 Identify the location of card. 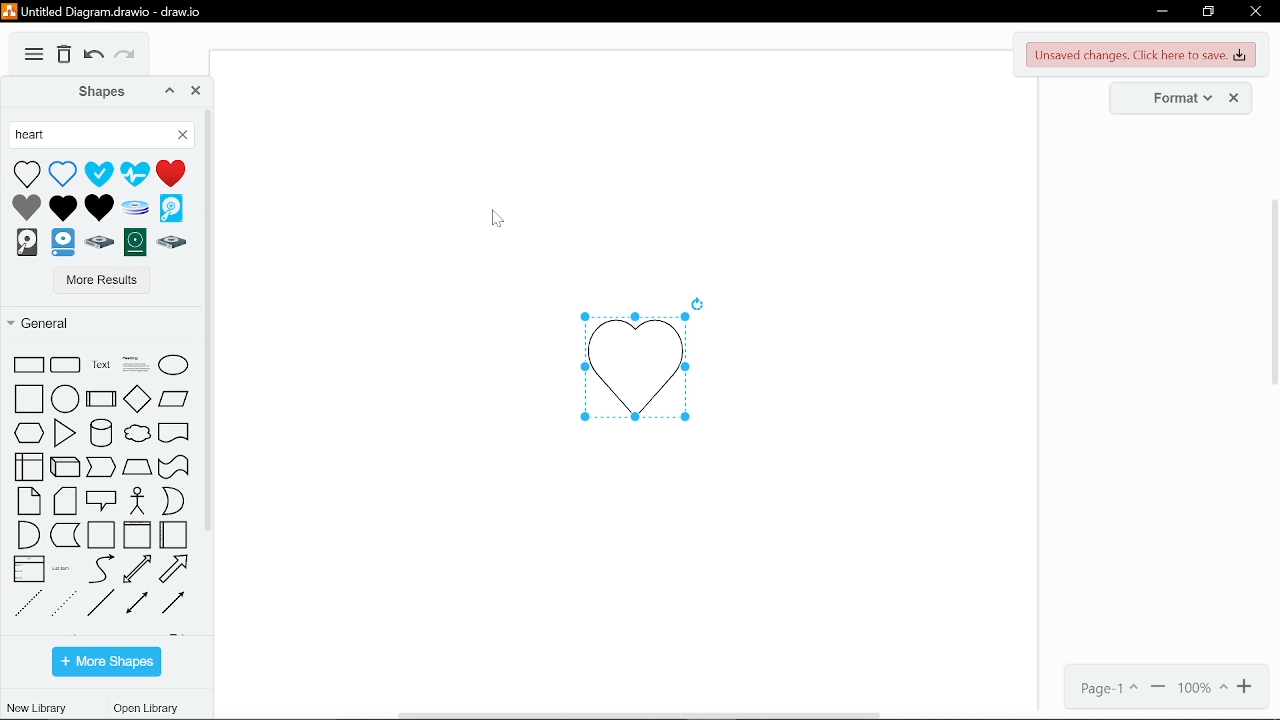
(68, 501).